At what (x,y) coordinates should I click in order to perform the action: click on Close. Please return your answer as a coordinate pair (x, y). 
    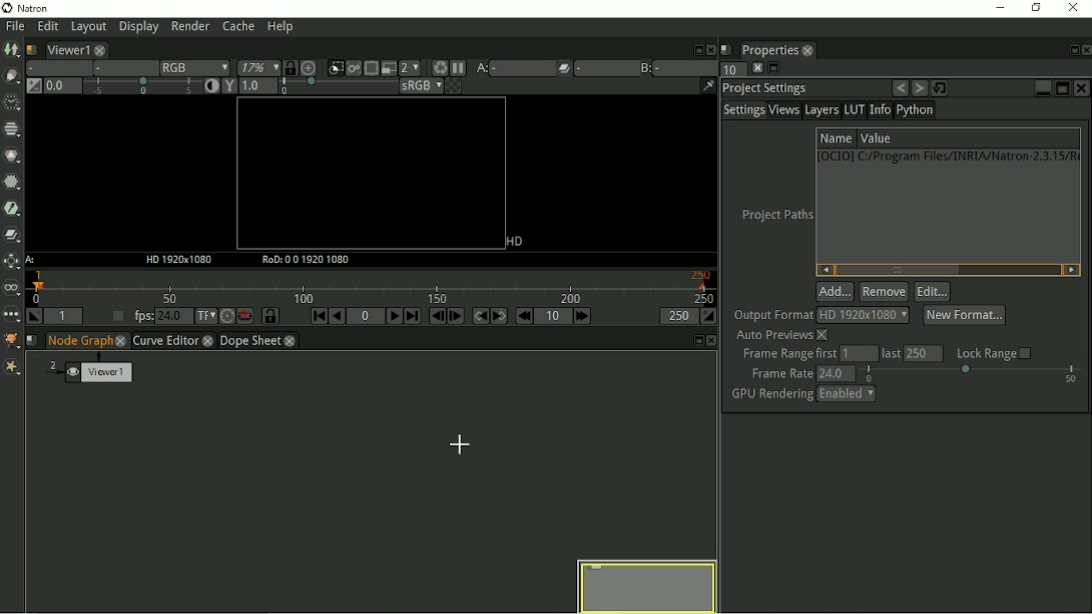
    Looking at the image, I should click on (1075, 8).